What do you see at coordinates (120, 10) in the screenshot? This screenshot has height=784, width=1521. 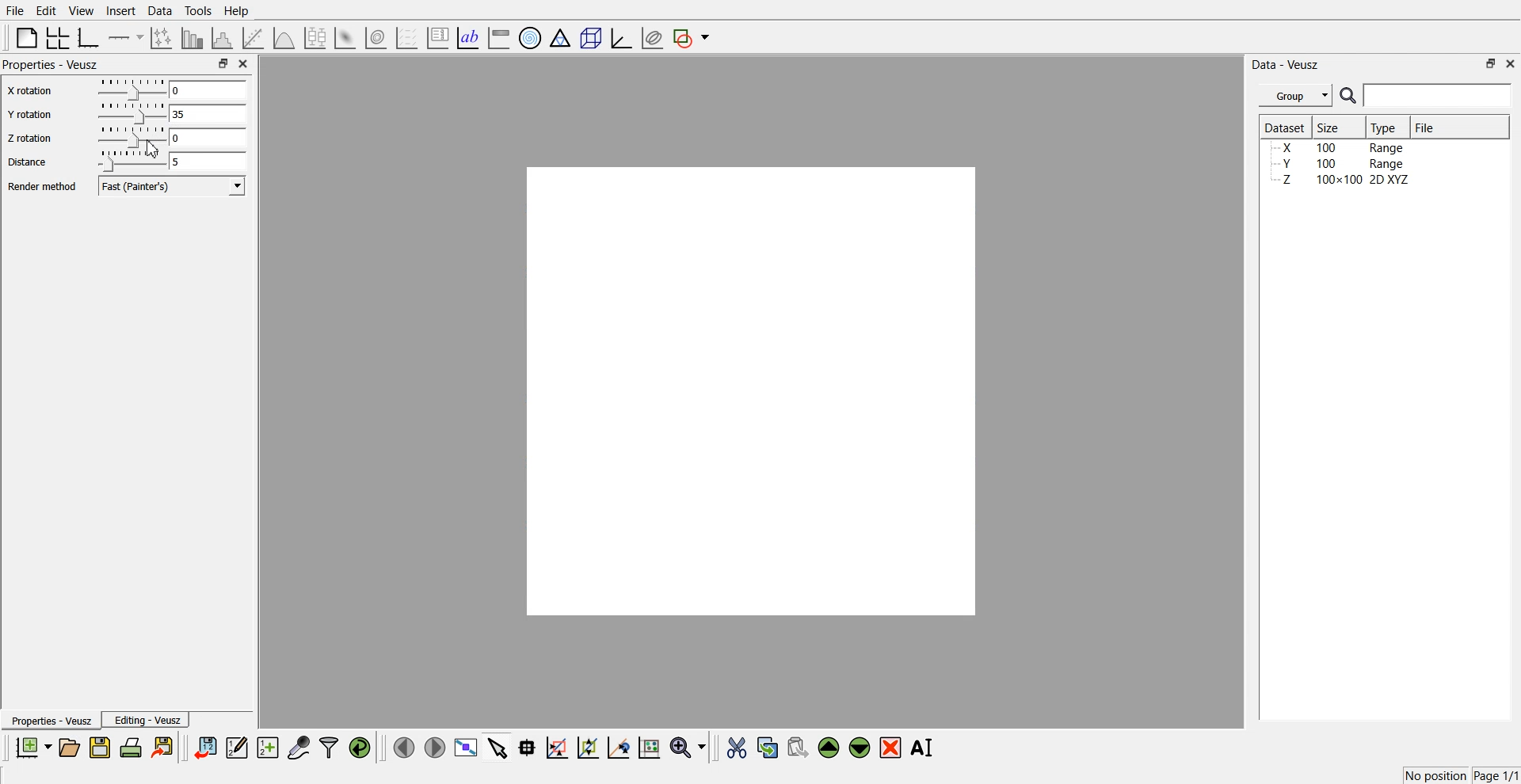 I see `Insert` at bounding box center [120, 10].